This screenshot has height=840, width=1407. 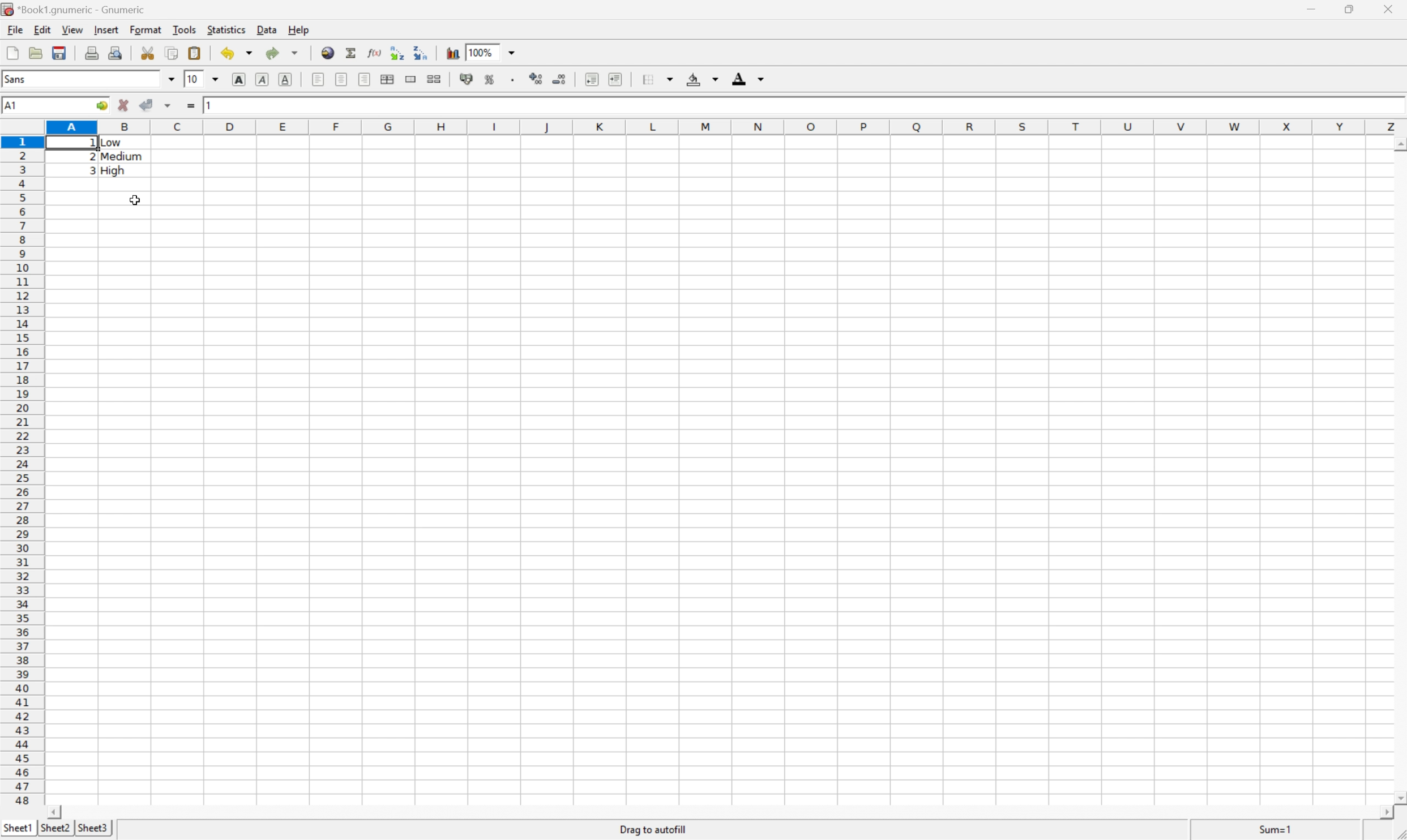 What do you see at coordinates (146, 29) in the screenshot?
I see `Format` at bounding box center [146, 29].